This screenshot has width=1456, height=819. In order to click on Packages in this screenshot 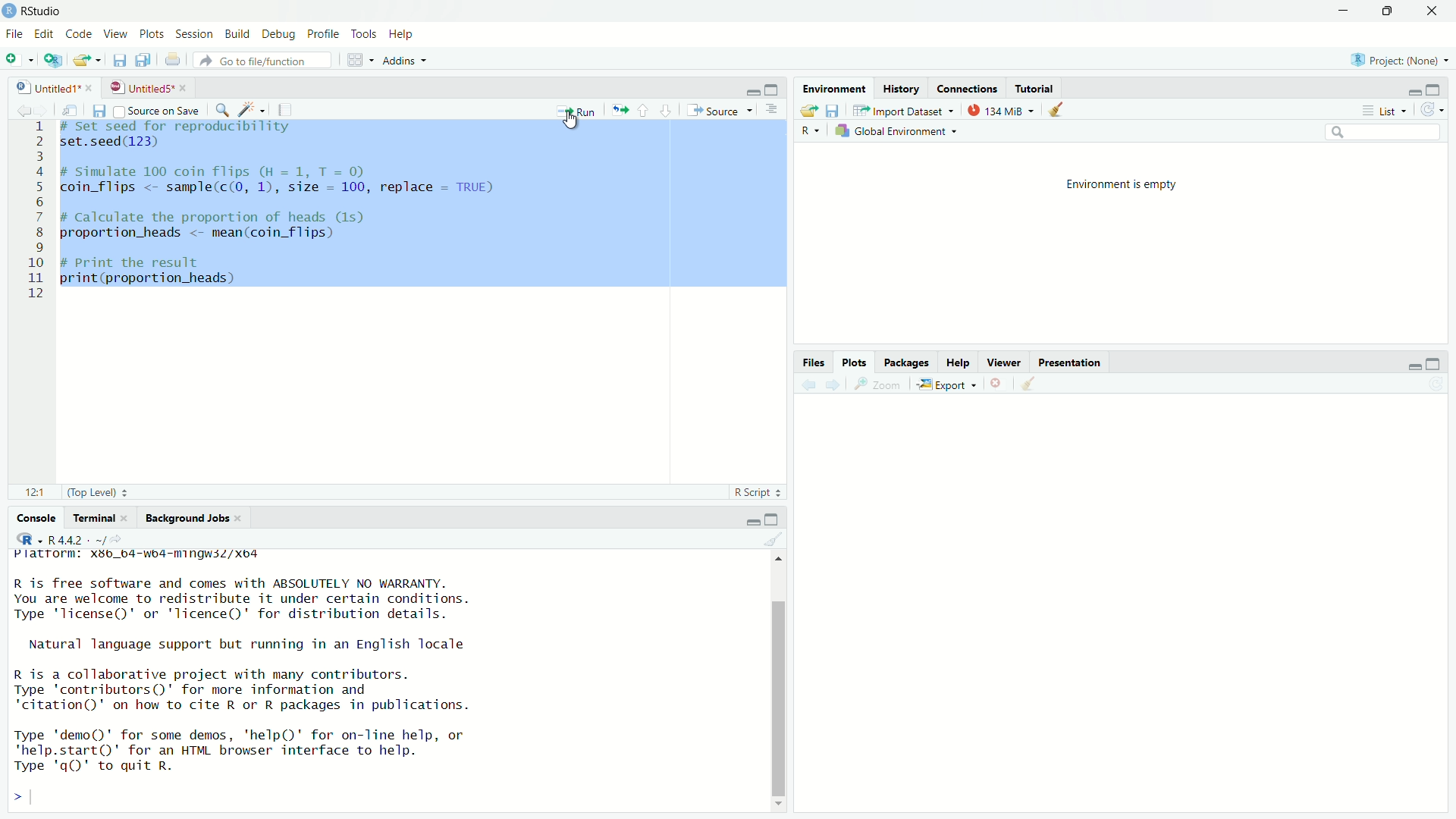, I will do `click(907, 362)`.